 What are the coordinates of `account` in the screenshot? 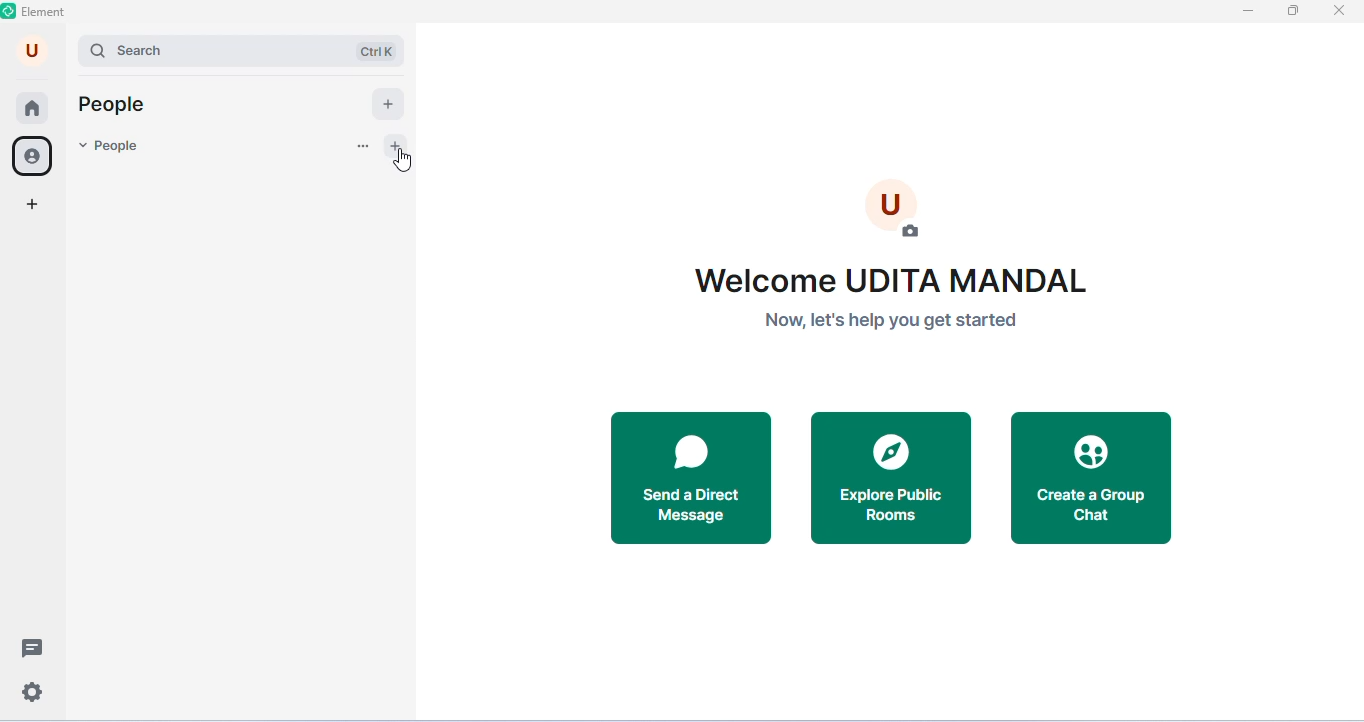 It's located at (33, 50).